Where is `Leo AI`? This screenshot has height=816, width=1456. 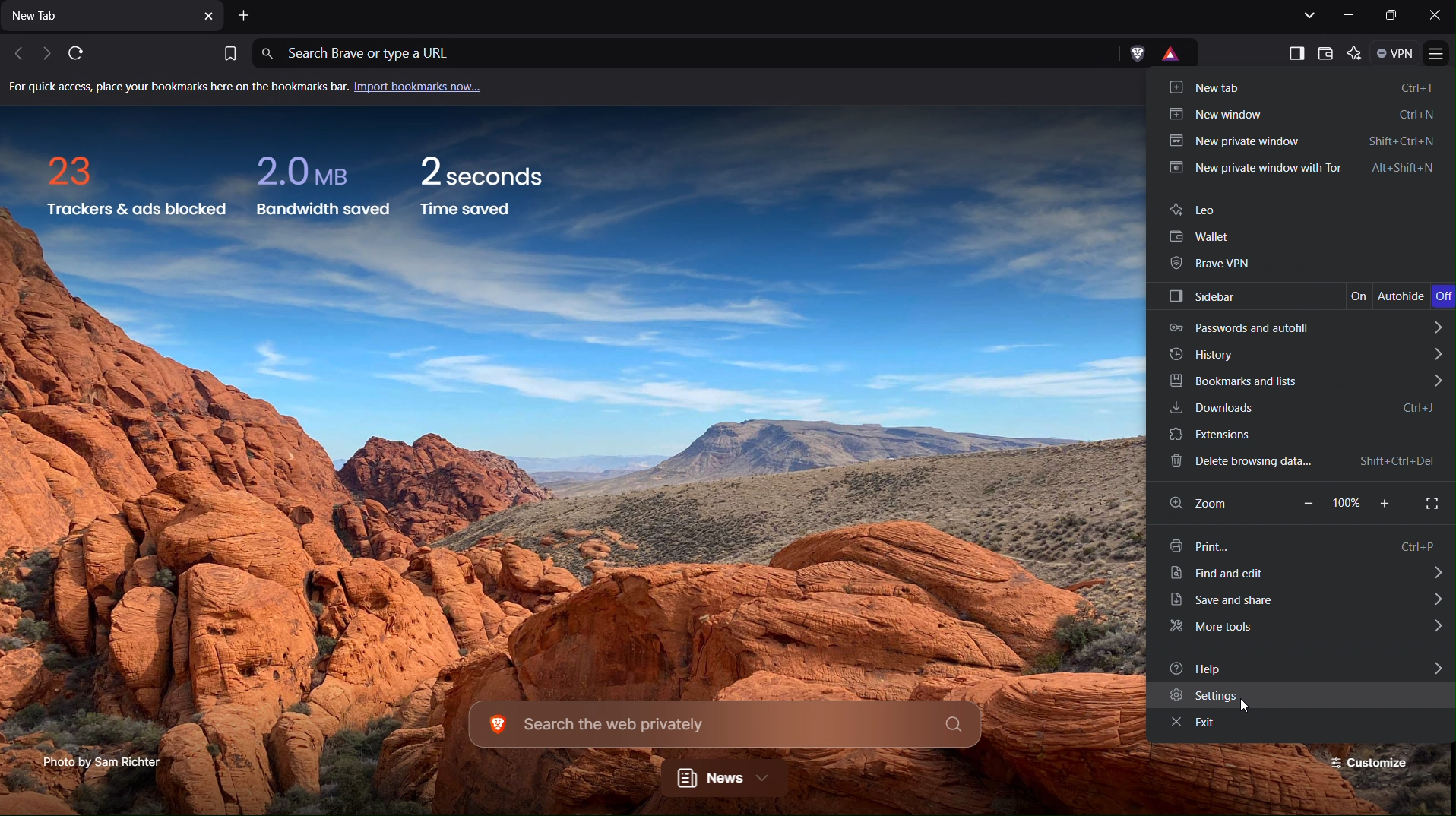 Leo AI is located at coordinates (1353, 55).